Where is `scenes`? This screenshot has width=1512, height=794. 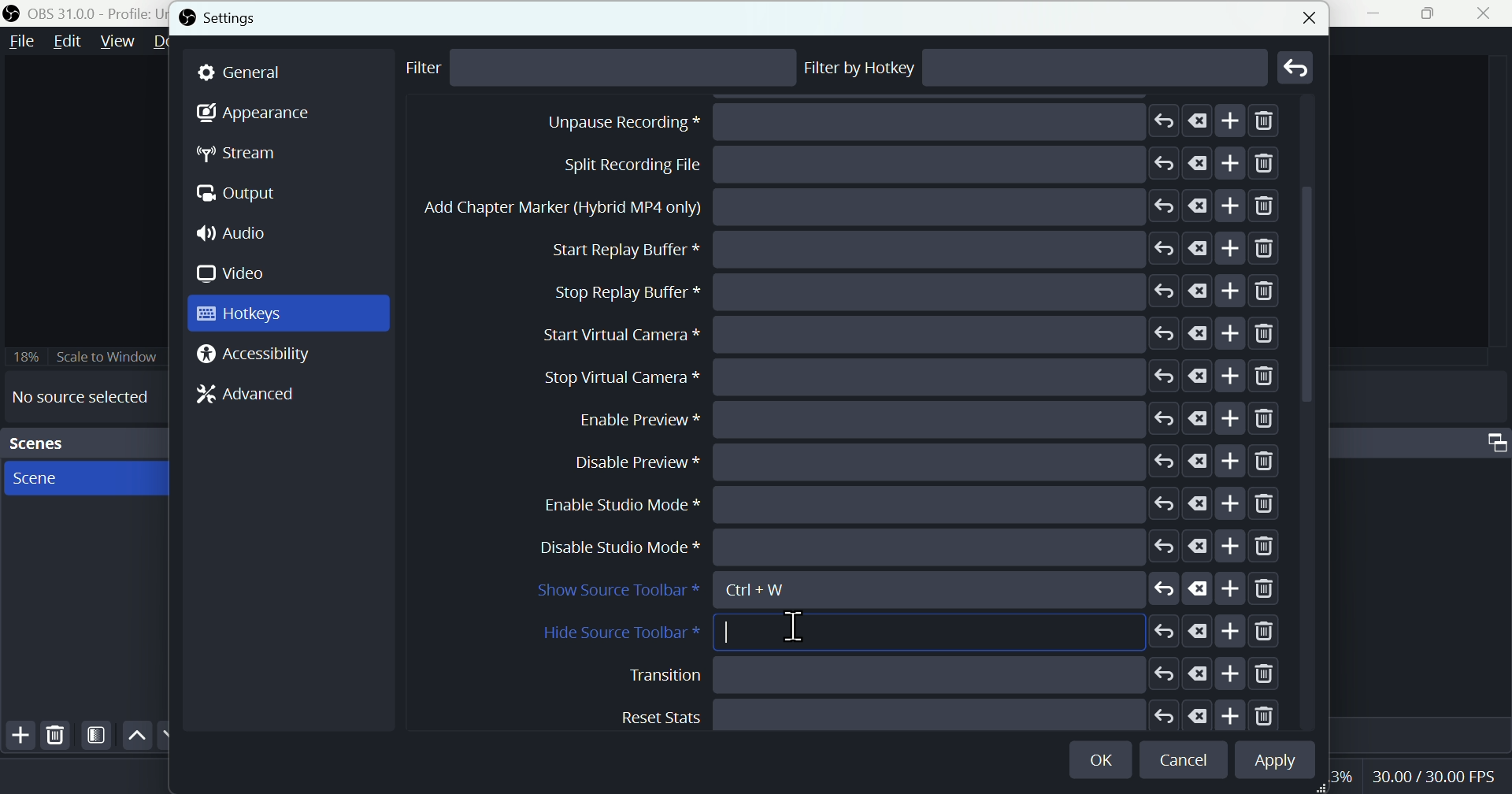
scenes is located at coordinates (83, 477).